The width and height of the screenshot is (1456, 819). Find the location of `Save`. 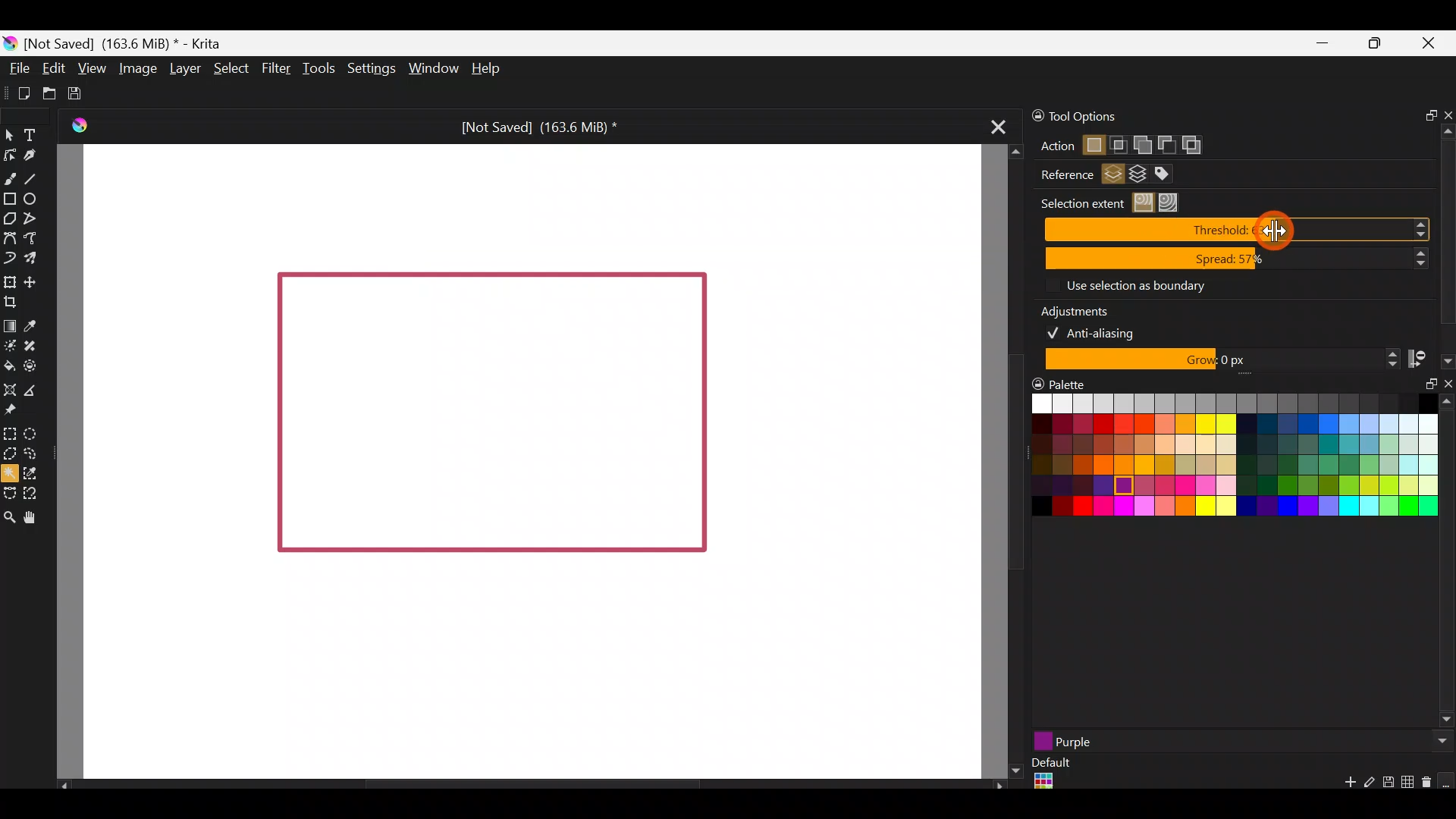

Save is located at coordinates (80, 94).